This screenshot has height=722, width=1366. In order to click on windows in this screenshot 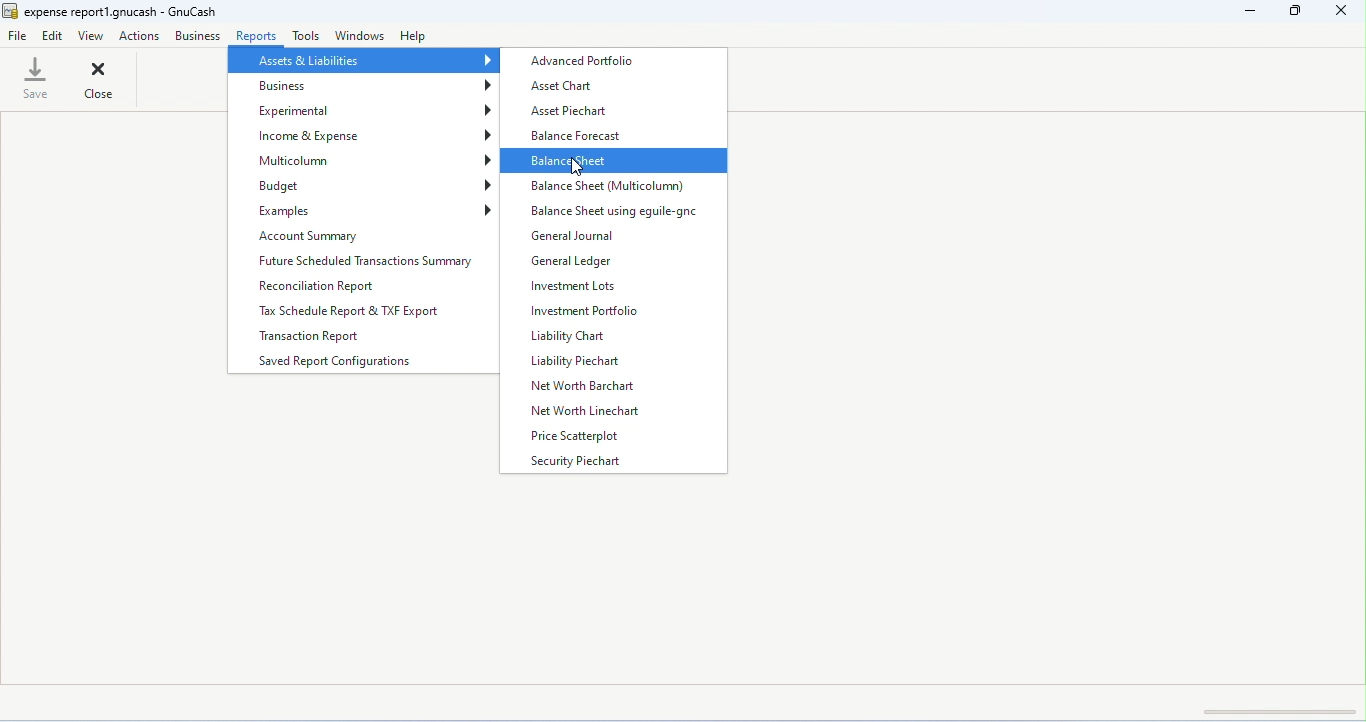, I will do `click(360, 35)`.